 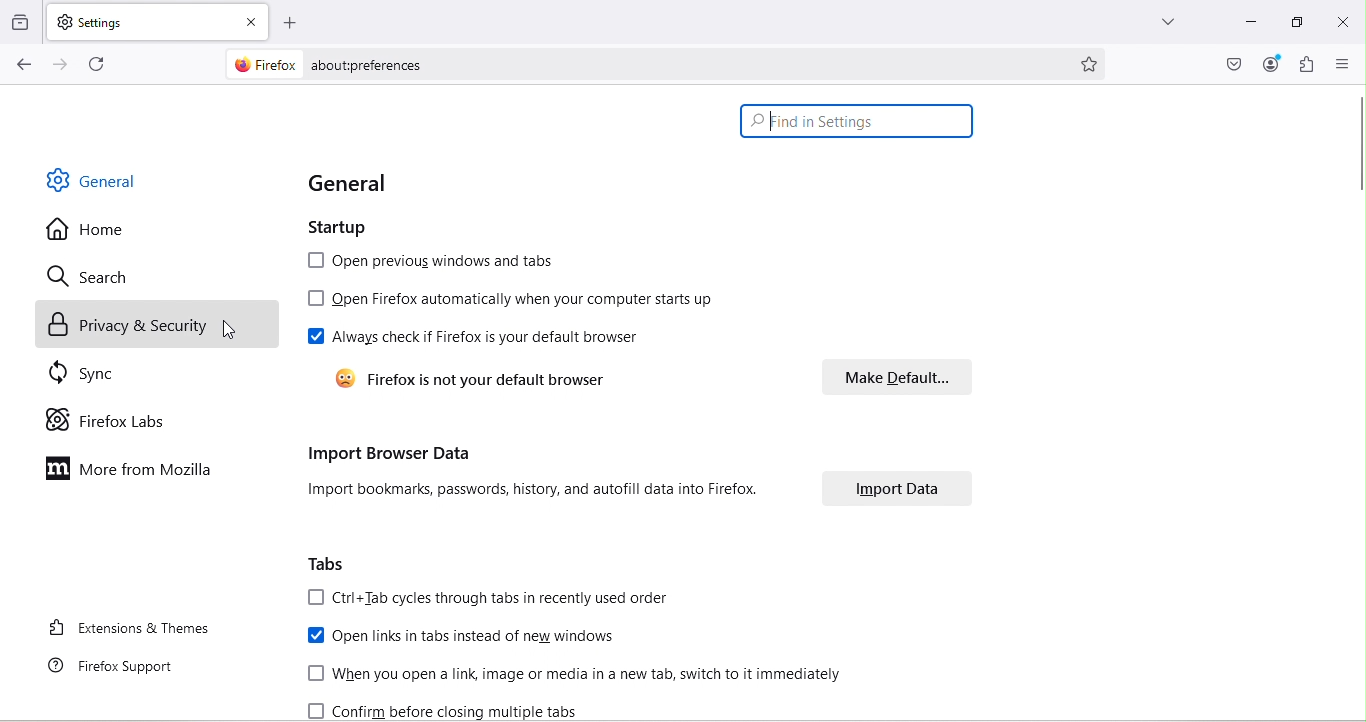 I want to click on Make default, so click(x=894, y=378).